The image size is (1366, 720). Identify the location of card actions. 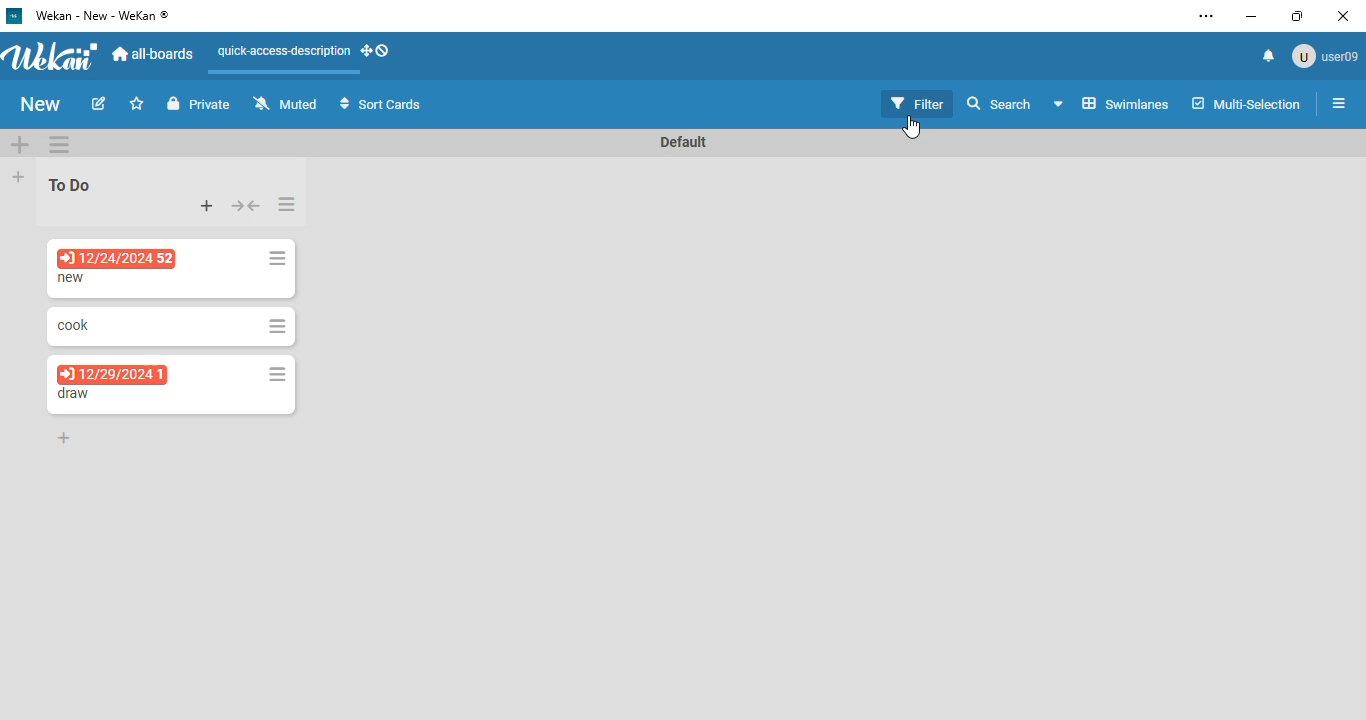
(277, 327).